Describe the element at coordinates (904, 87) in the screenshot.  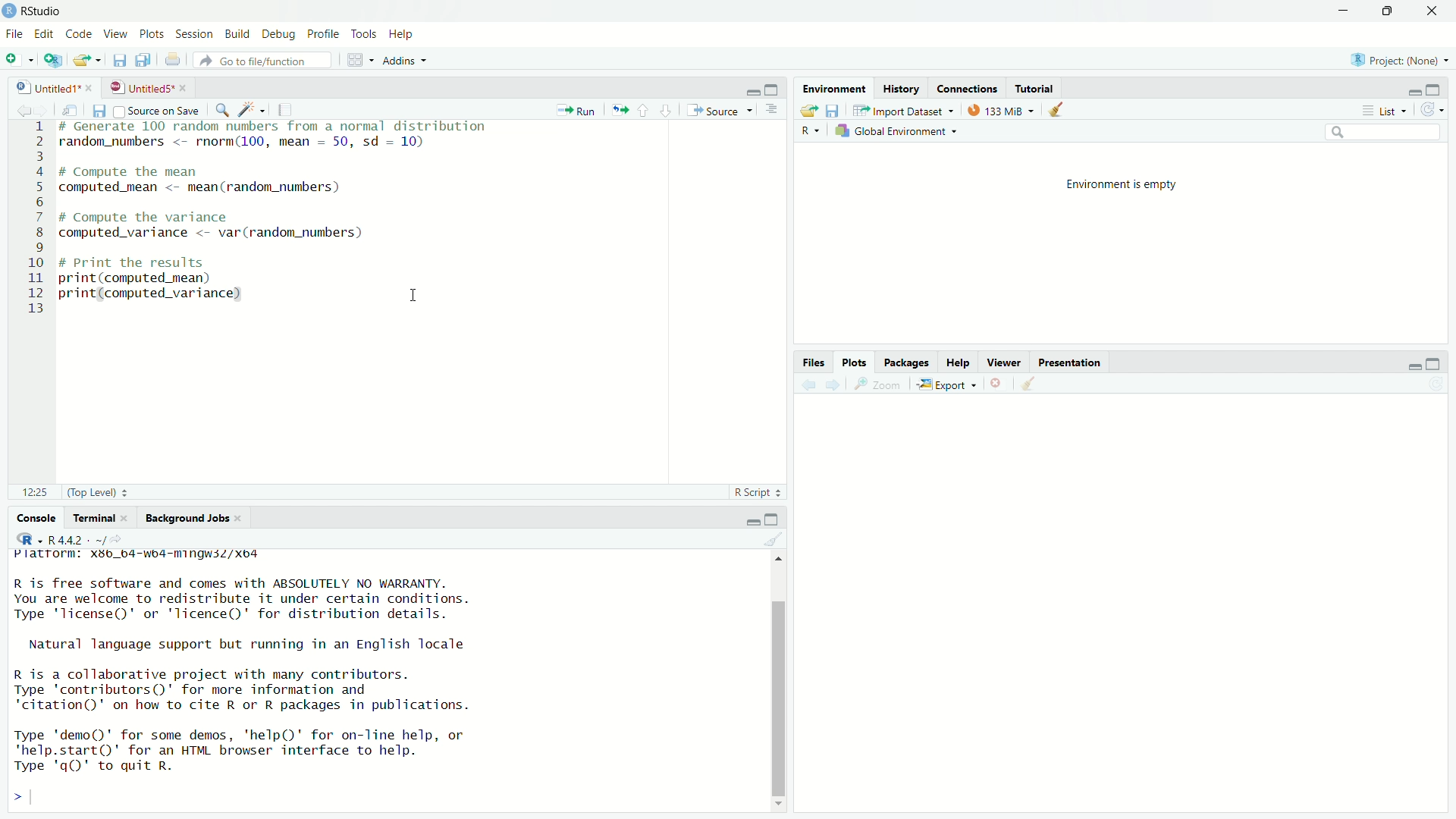
I see `history` at that location.